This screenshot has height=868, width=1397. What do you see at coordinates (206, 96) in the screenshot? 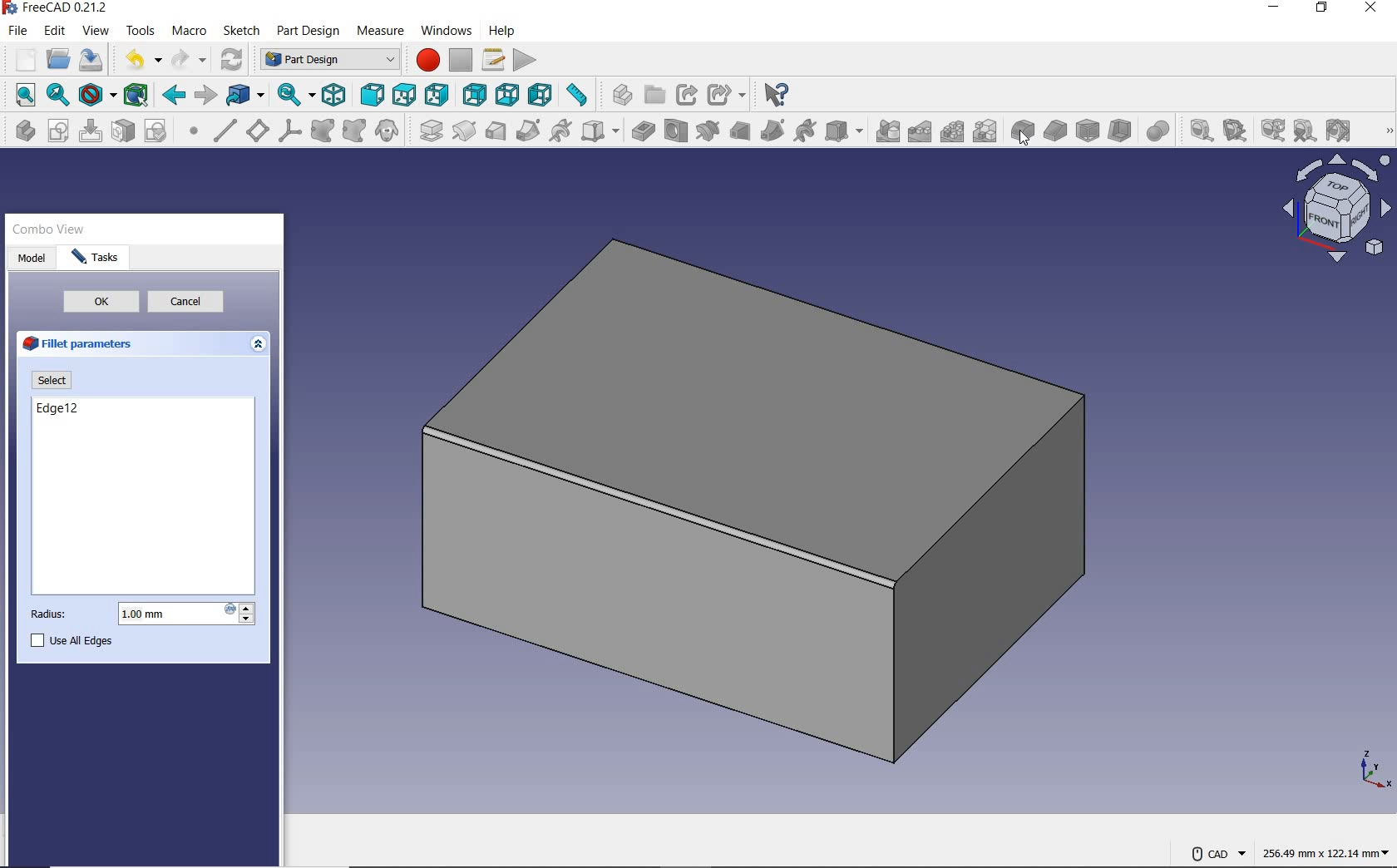
I see `forward` at bounding box center [206, 96].